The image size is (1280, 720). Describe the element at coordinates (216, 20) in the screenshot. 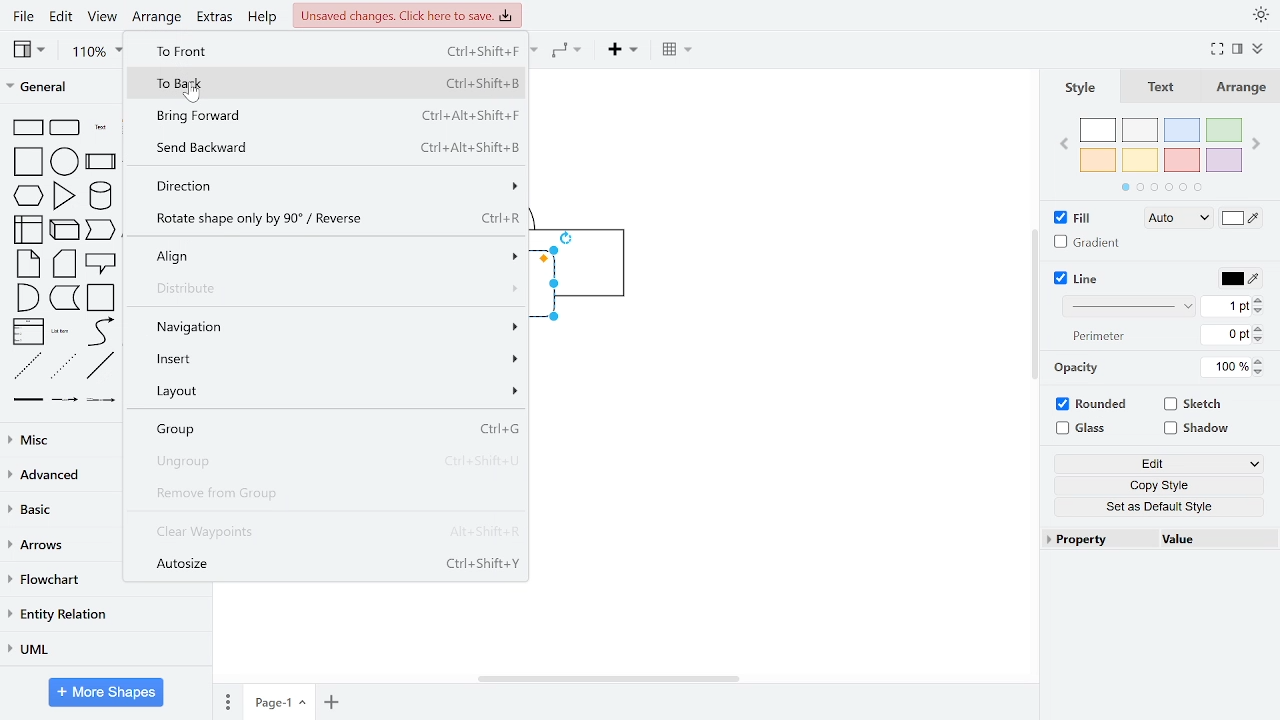

I see `extras` at that location.